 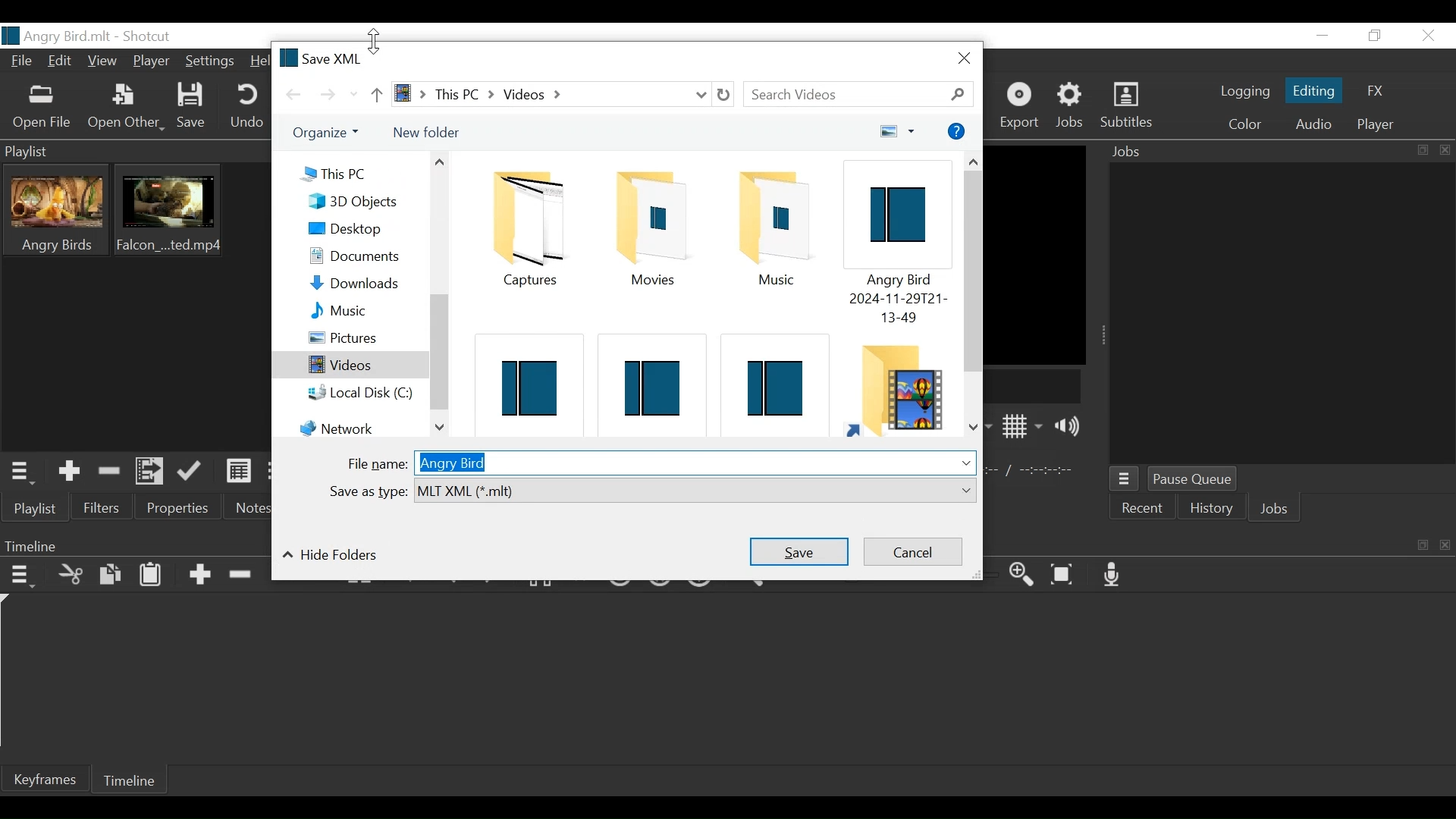 What do you see at coordinates (351, 173) in the screenshot?
I see `This PC` at bounding box center [351, 173].